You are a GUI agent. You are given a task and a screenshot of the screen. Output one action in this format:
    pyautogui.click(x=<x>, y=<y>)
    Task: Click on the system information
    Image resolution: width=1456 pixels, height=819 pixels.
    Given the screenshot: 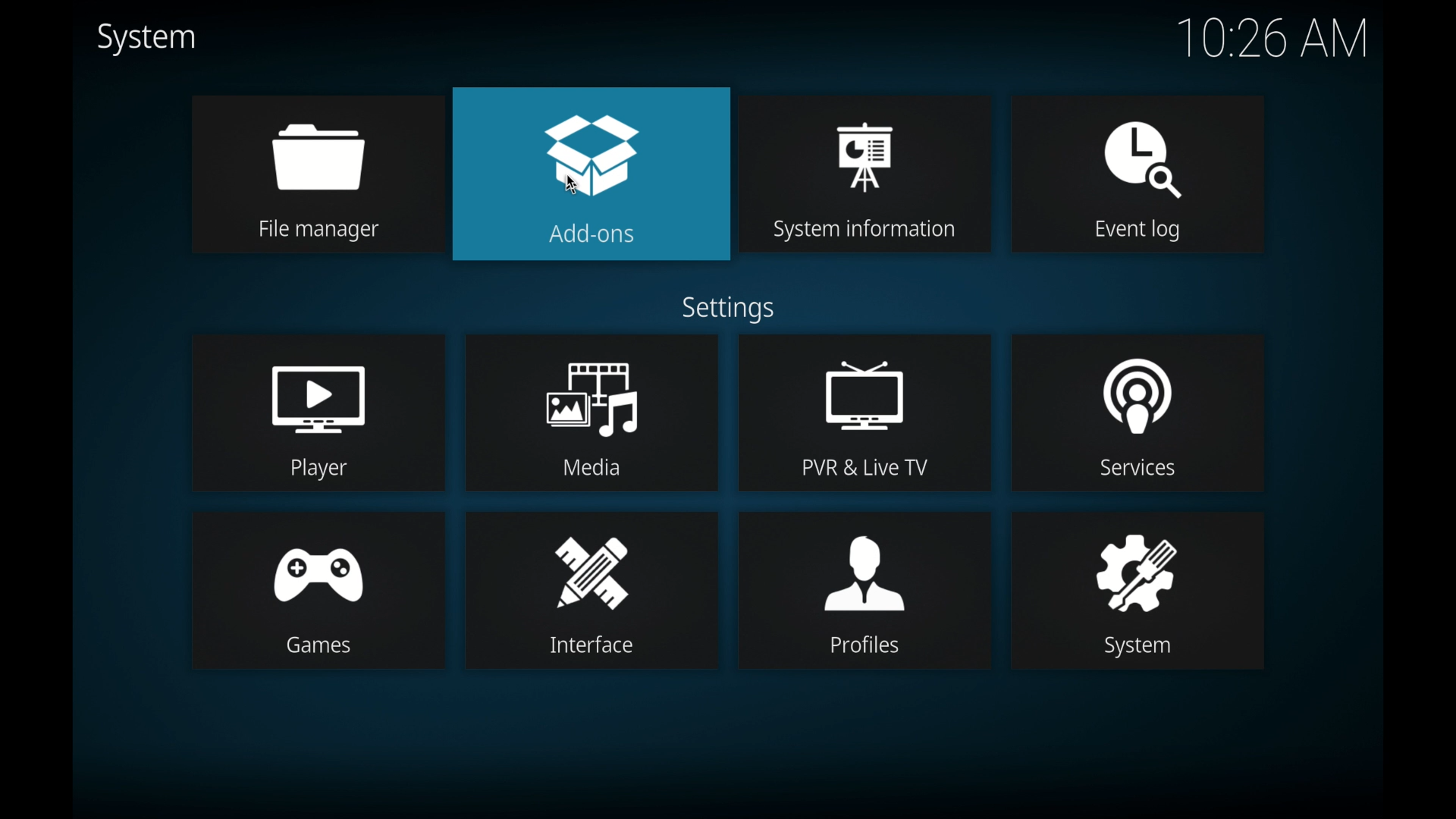 What is the action you would take?
    pyautogui.click(x=866, y=176)
    